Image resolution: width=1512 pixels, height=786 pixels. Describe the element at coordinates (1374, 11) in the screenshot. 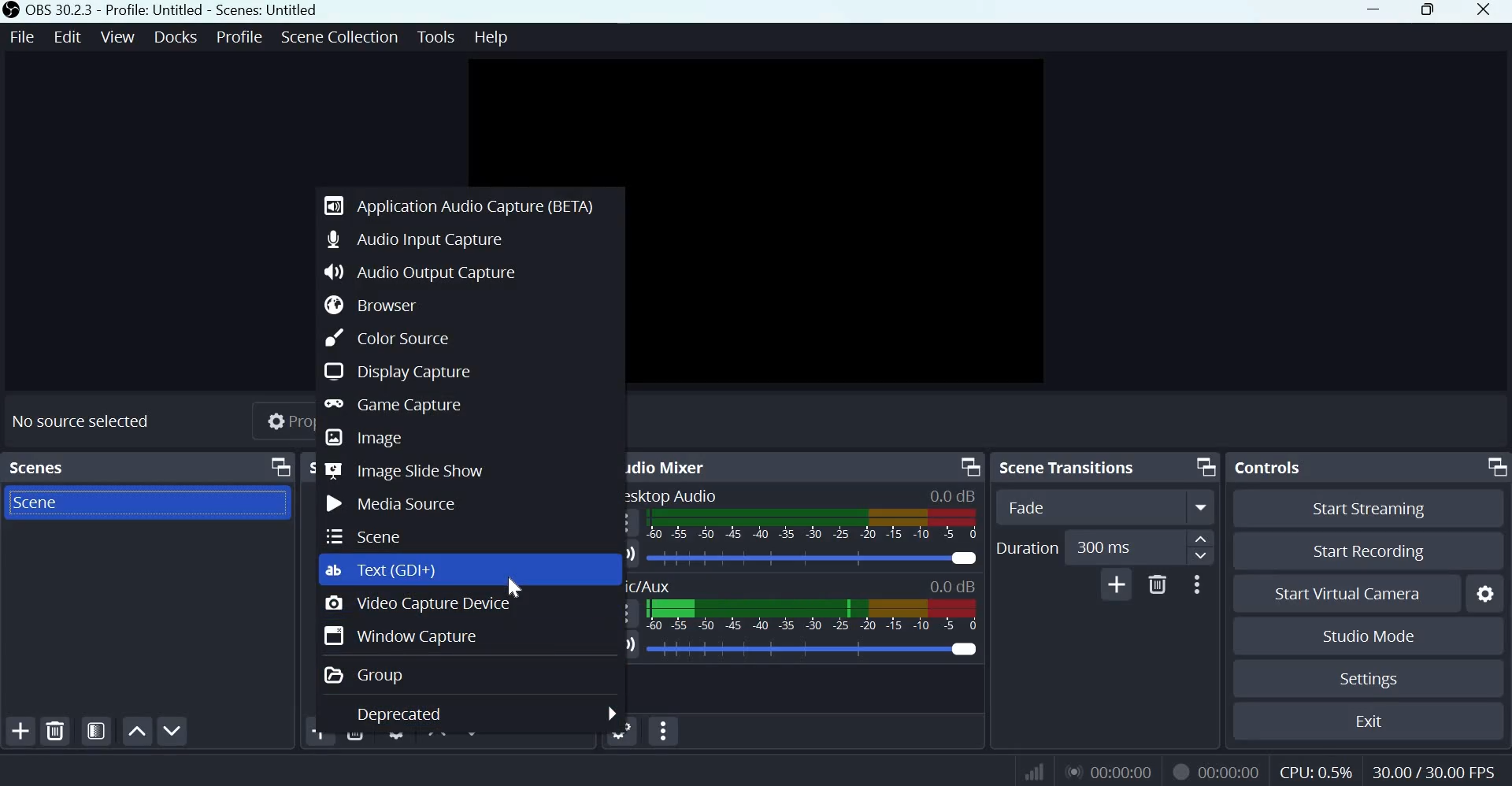

I see `Minimize` at that location.